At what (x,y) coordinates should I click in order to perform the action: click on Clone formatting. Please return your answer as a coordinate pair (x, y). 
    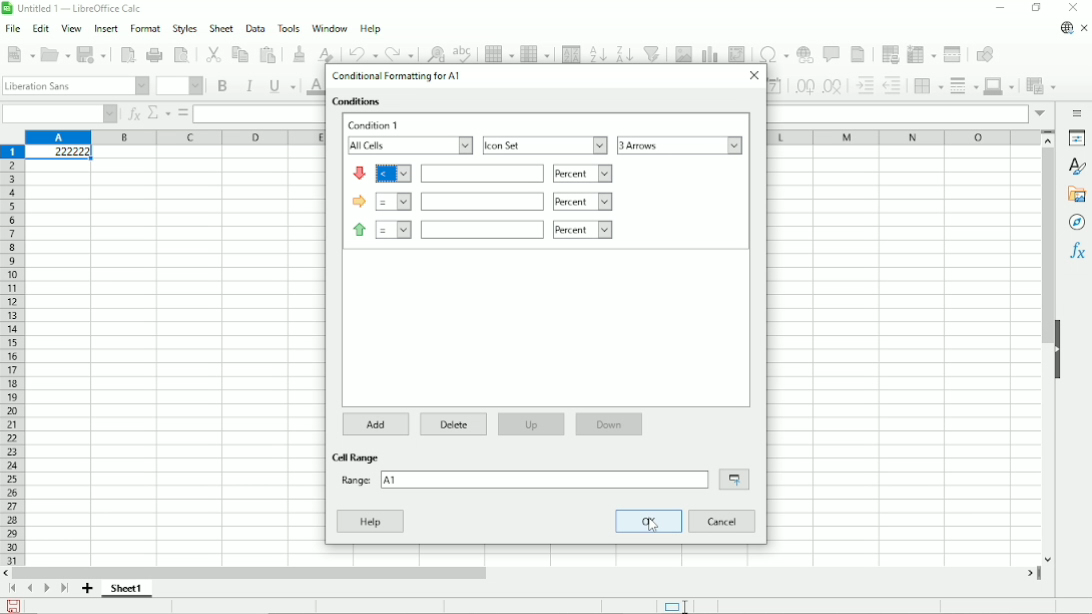
    Looking at the image, I should click on (300, 52).